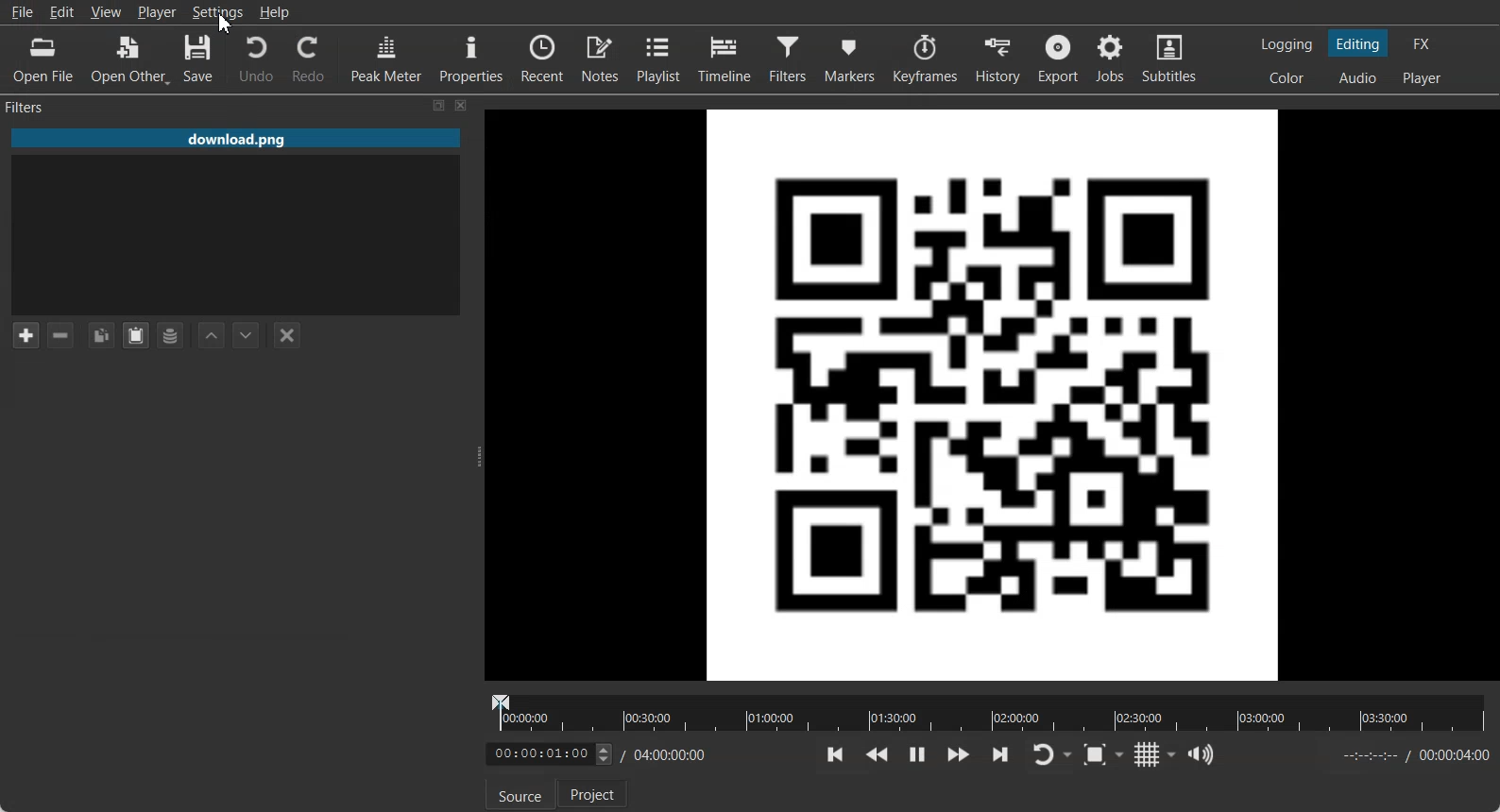 This screenshot has height=812, width=1500. What do you see at coordinates (659, 58) in the screenshot?
I see `Playlist` at bounding box center [659, 58].